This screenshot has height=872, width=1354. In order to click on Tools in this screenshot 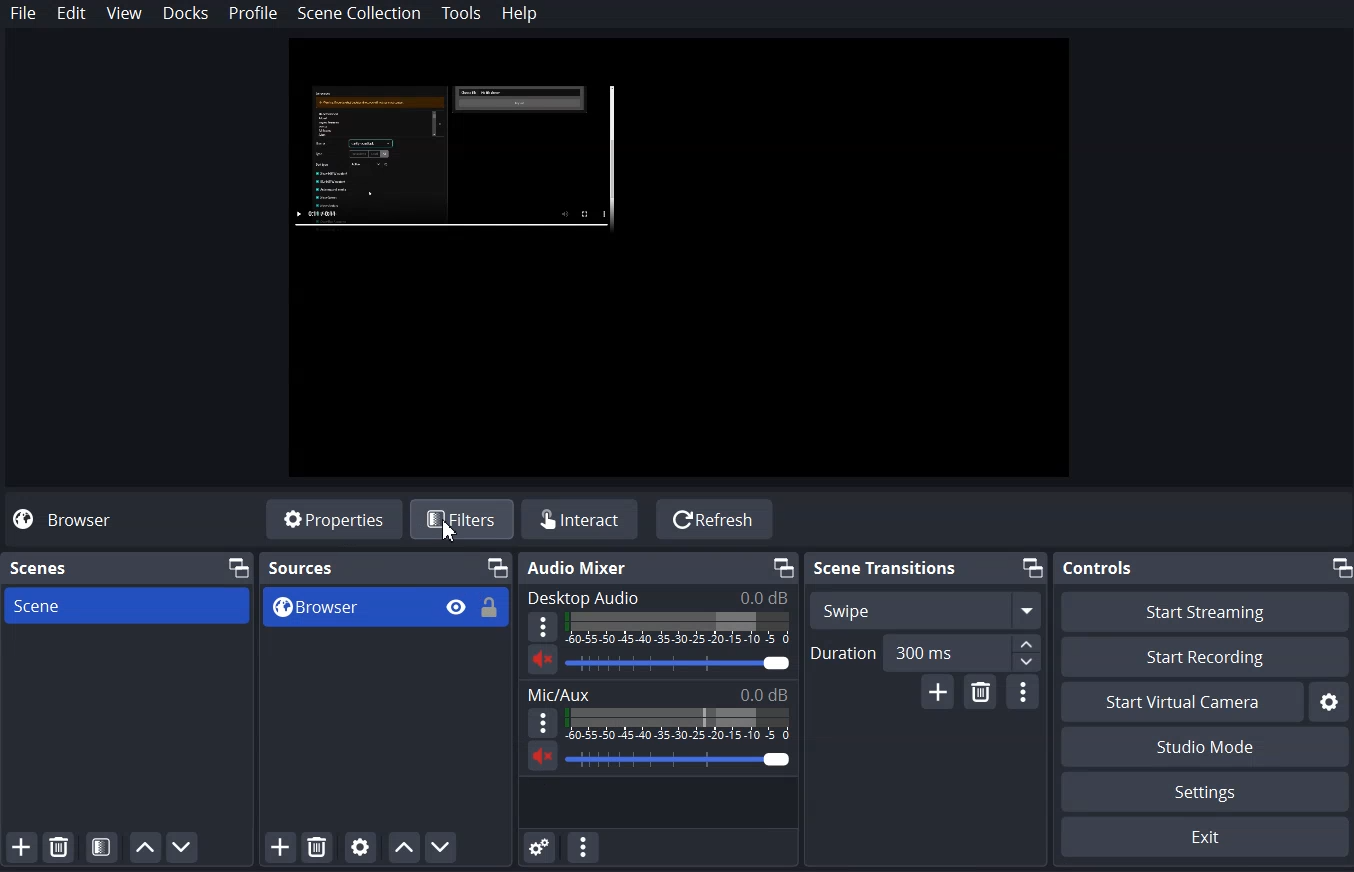, I will do `click(462, 13)`.